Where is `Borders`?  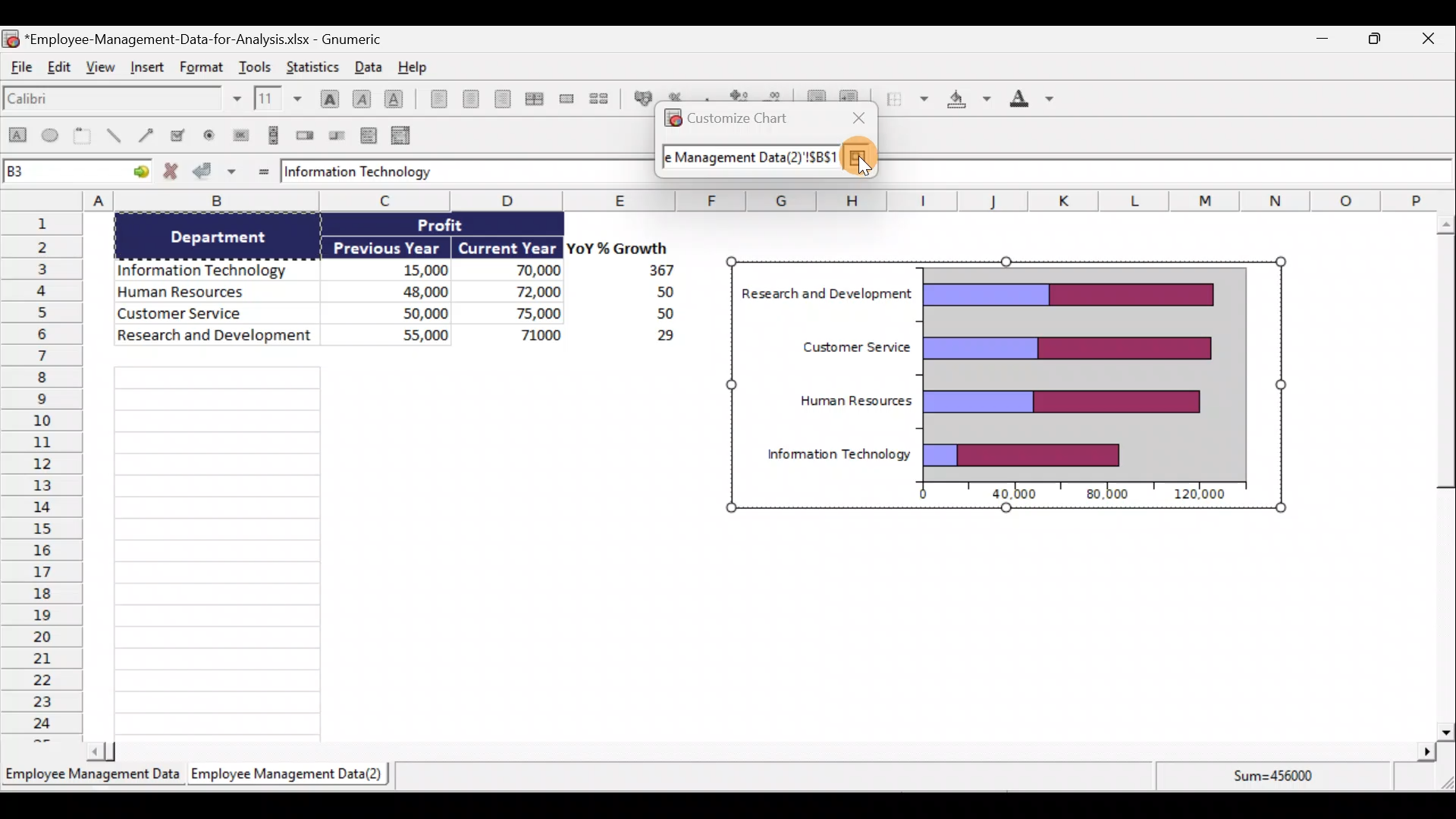 Borders is located at coordinates (905, 99).